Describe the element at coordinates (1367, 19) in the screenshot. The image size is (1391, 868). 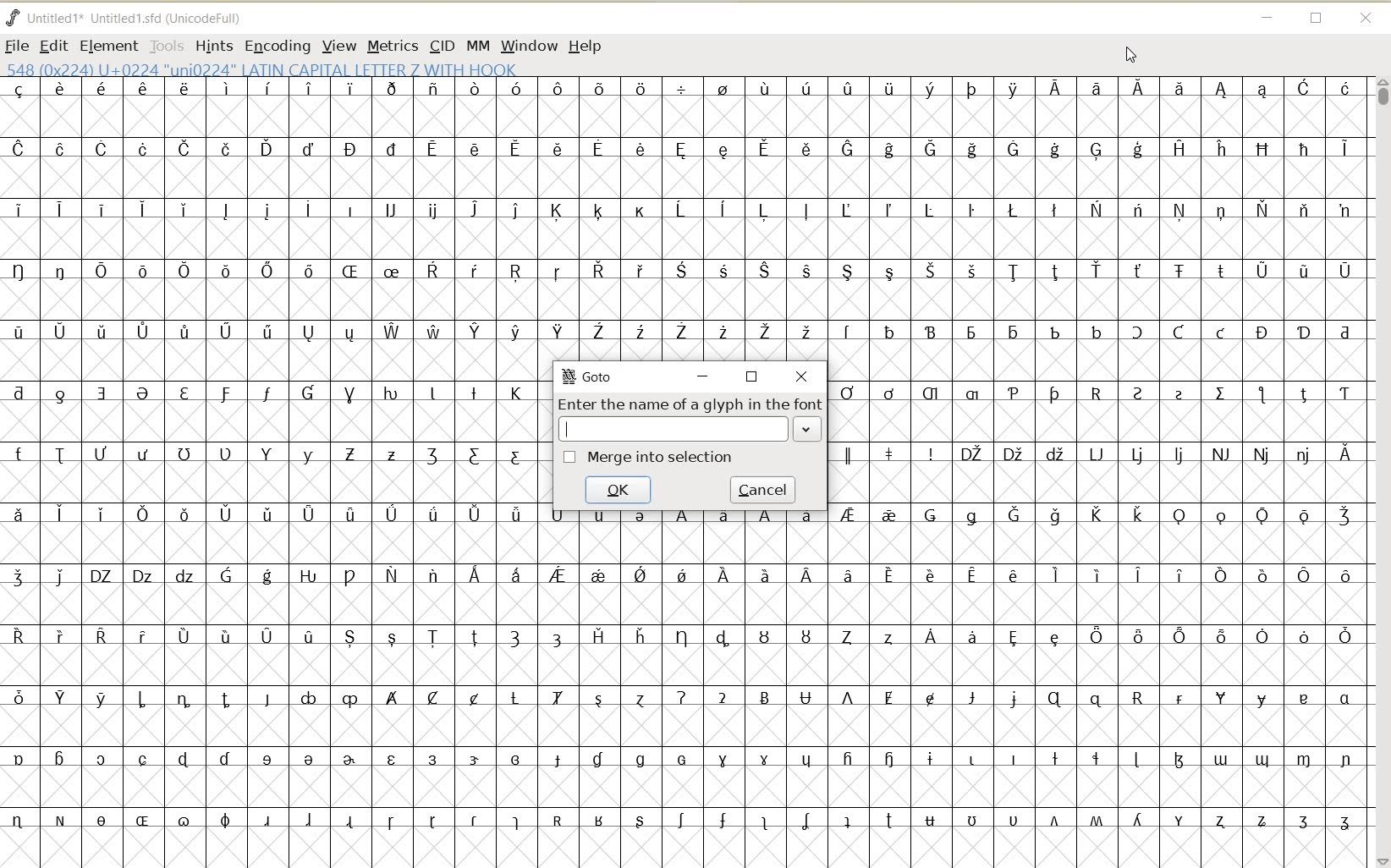
I see `CLOSE` at that location.